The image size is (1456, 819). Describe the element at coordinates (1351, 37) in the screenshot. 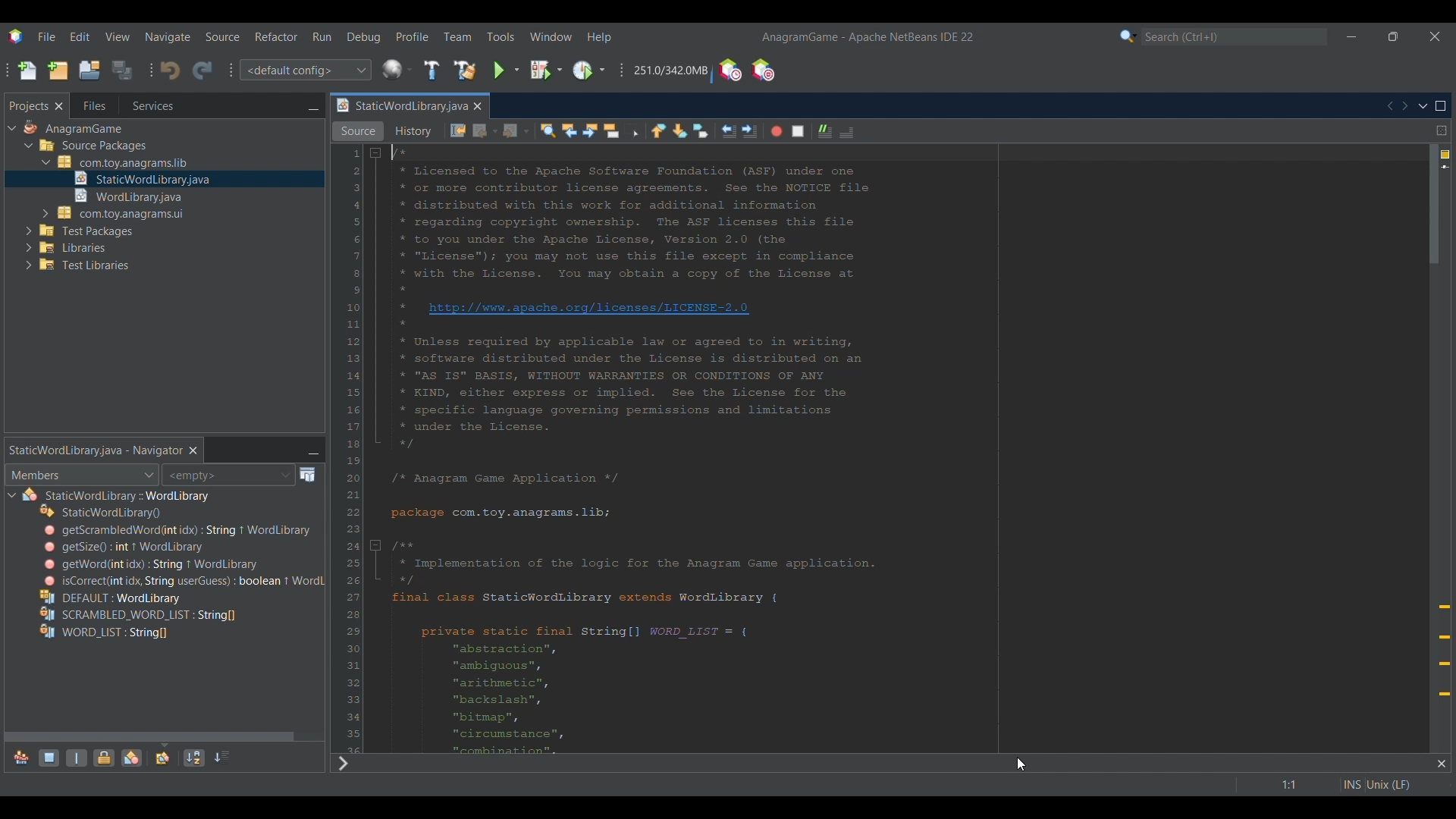

I see `Minimize` at that location.